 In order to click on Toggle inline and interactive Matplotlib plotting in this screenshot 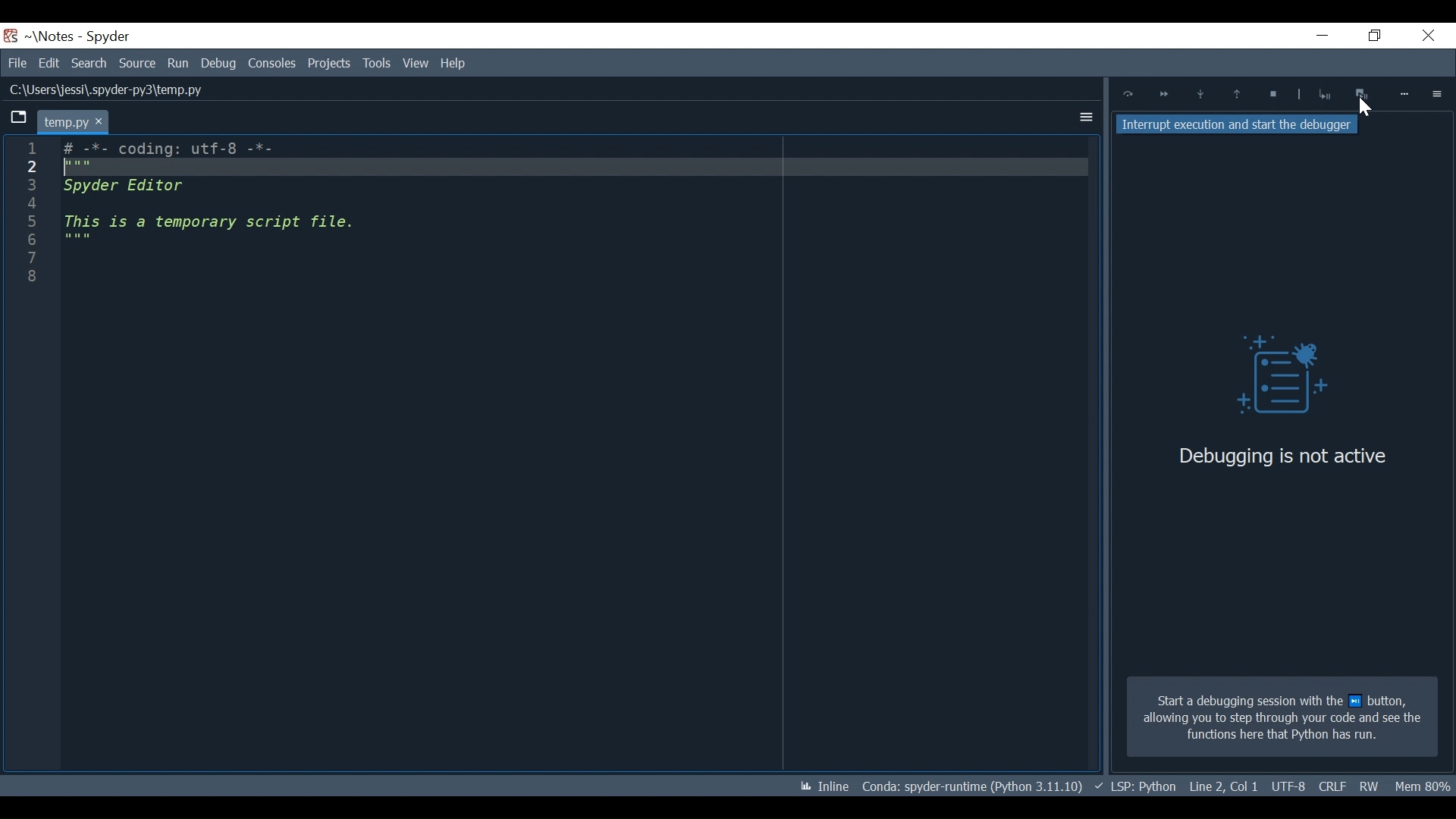, I will do `click(823, 786)`.